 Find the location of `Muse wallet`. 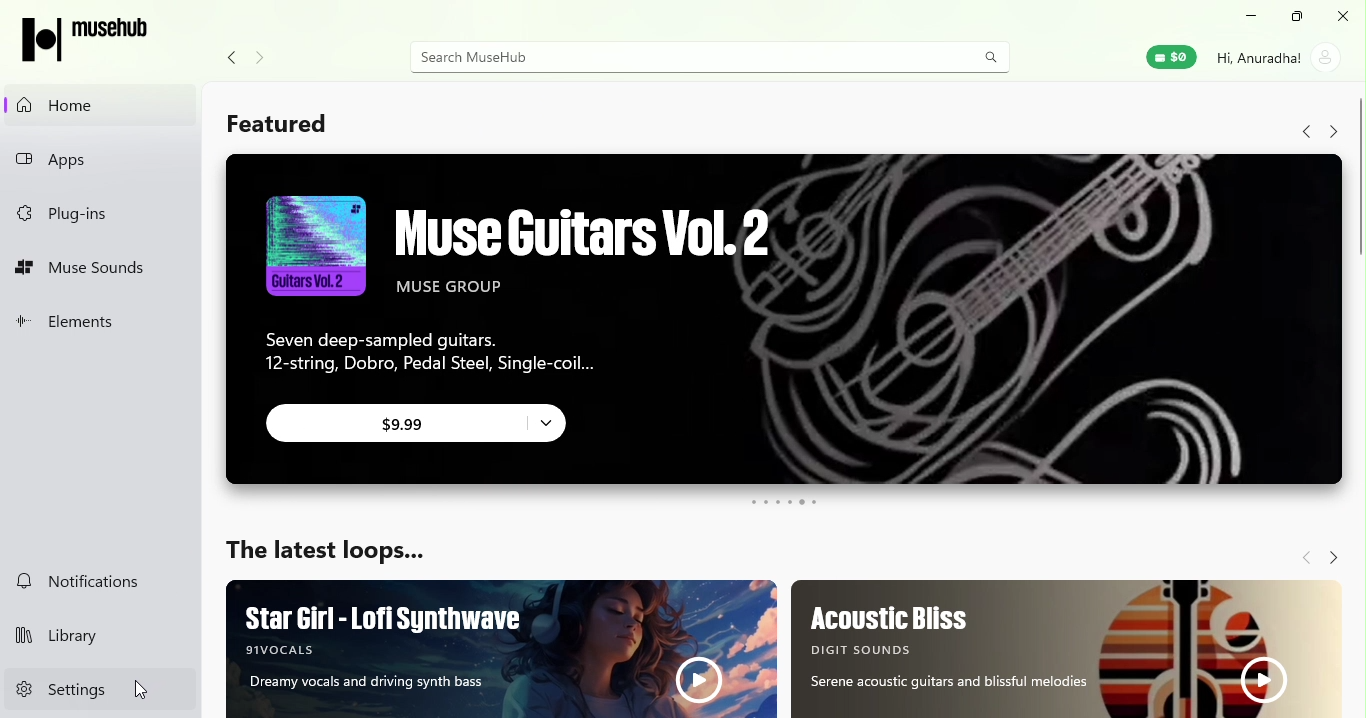

Muse wallet is located at coordinates (1170, 55).